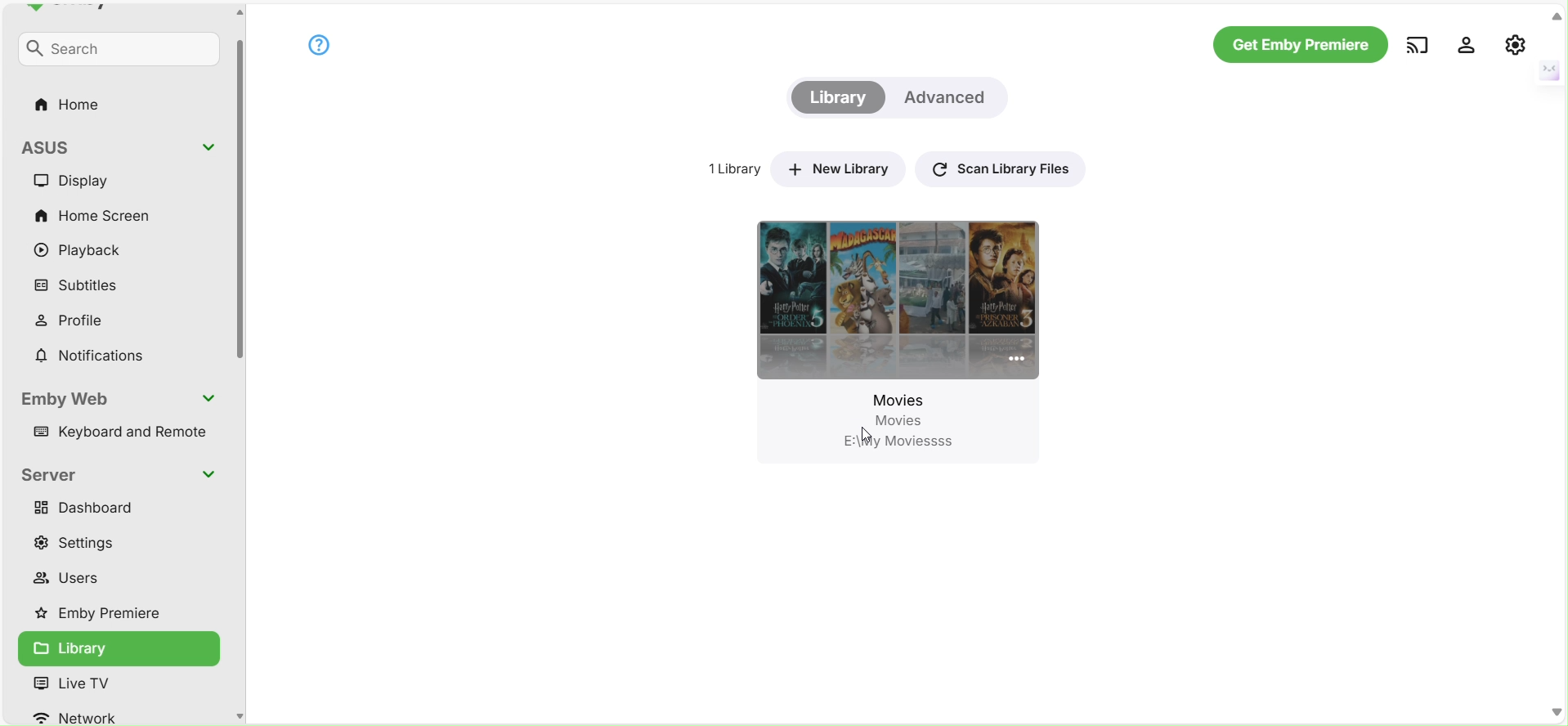 This screenshot has width=1568, height=726. Describe the element at coordinates (212, 399) in the screenshot. I see `Collapse Section` at that location.